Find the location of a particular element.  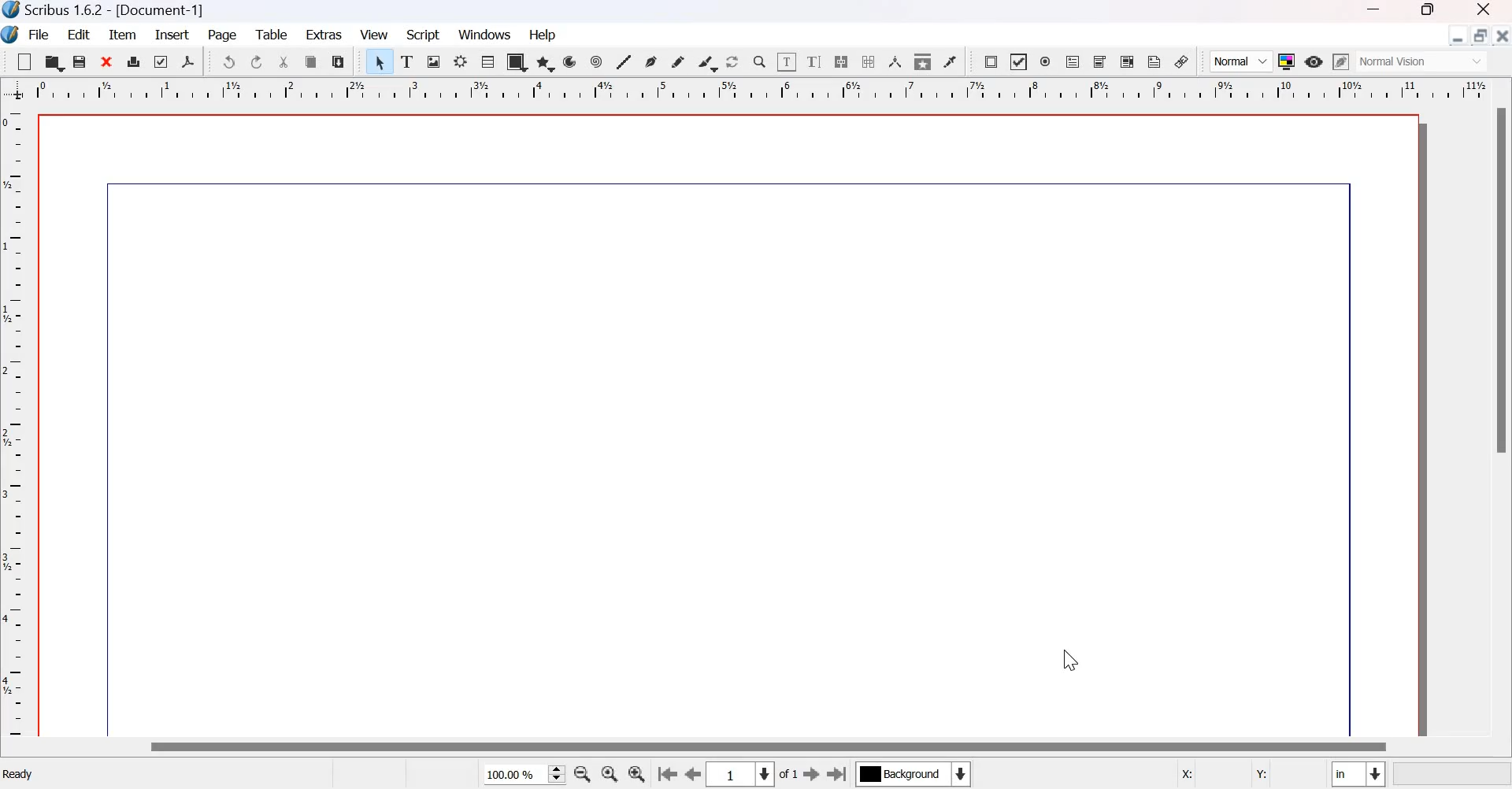

Y: is located at coordinates (1258, 775).